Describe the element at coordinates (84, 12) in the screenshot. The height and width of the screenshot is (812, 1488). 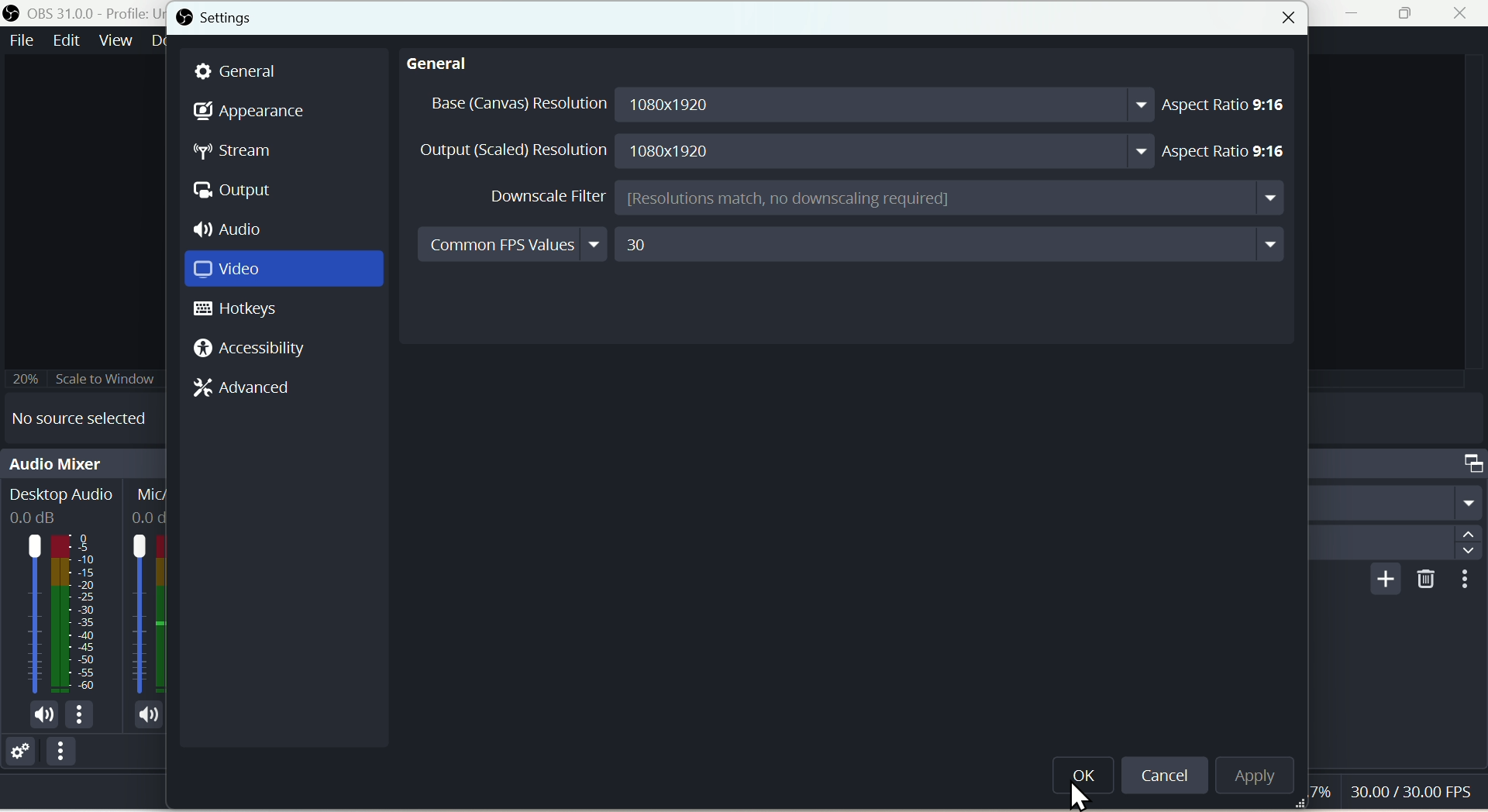
I see `OBS 31.0 .0 profile untitled scenes new scenes` at that location.